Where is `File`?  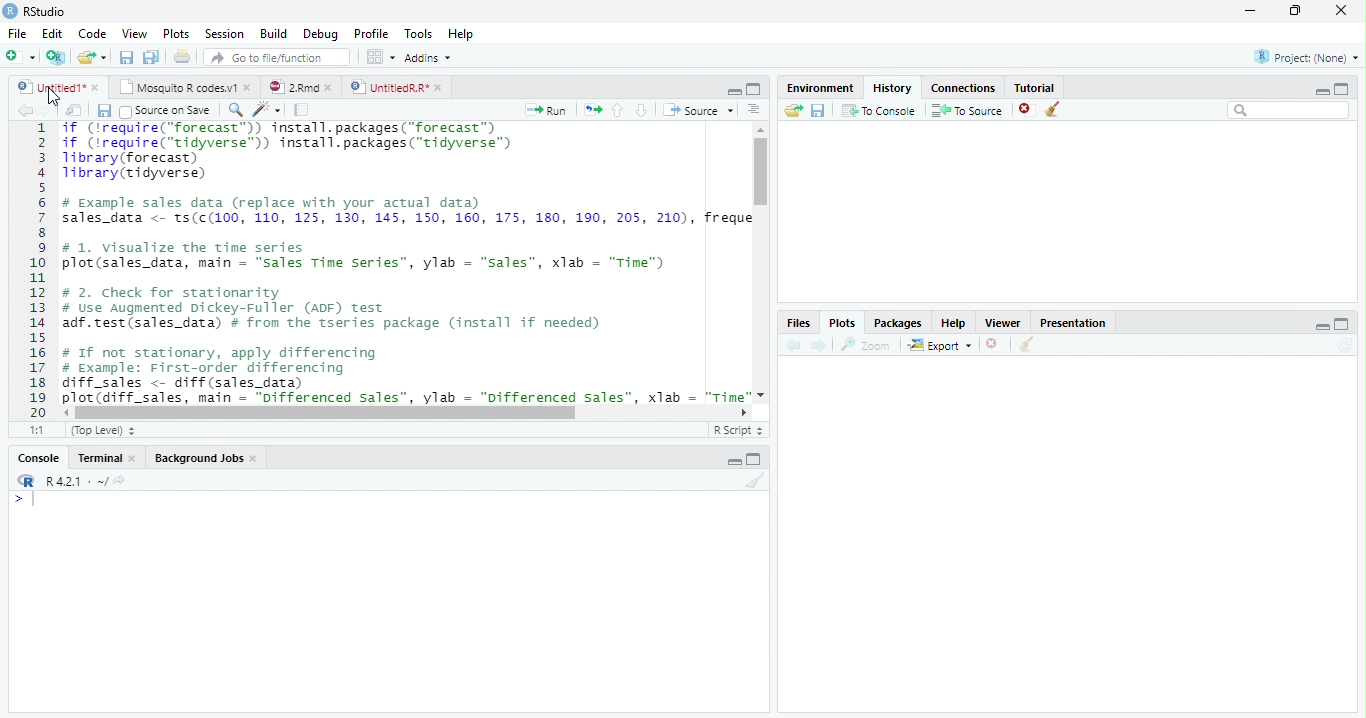
File is located at coordinates (17, 33).